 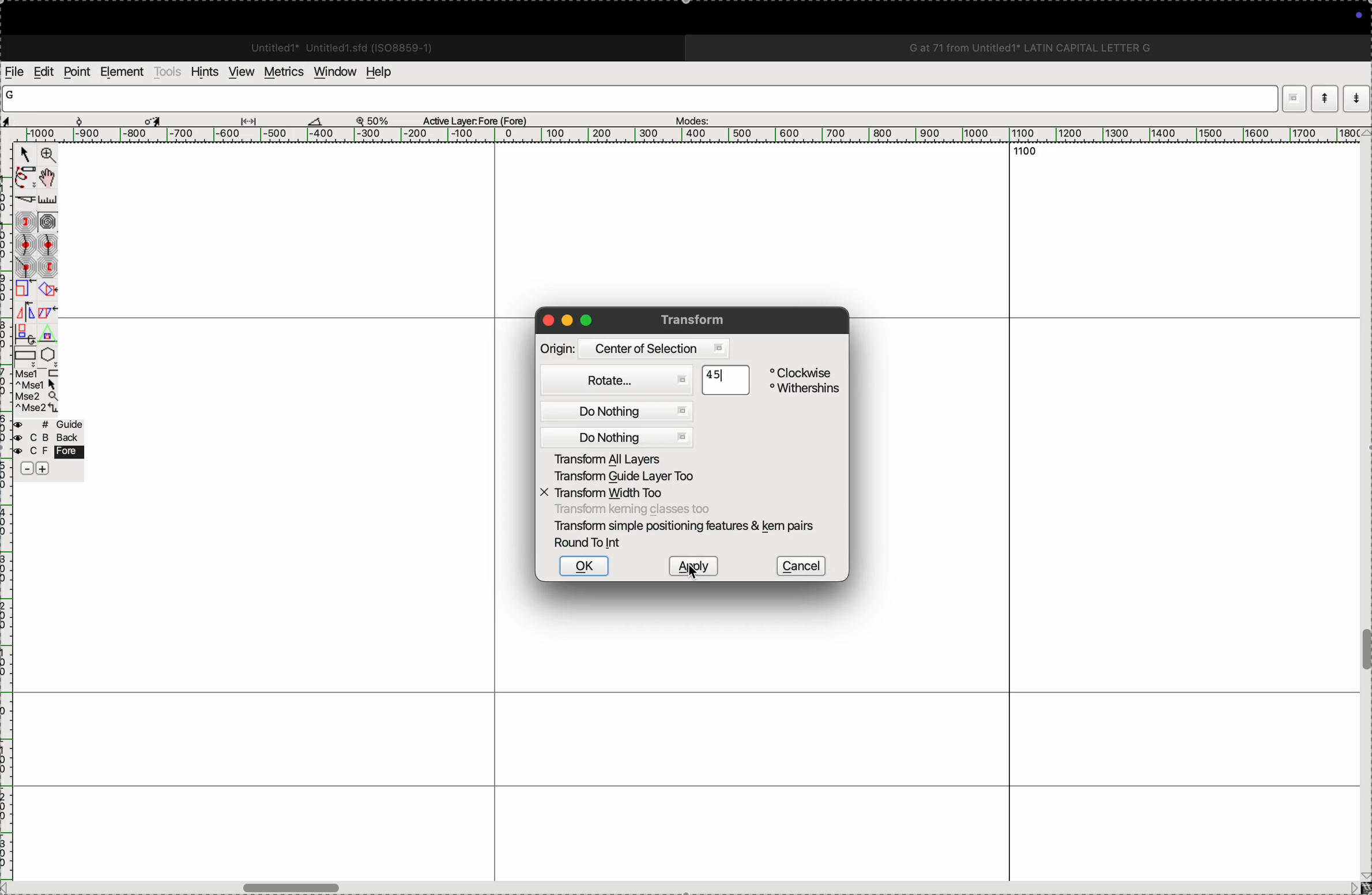 What do you see at coordinates (333, 46) in the screenshot?
I see `Untitled1 Untitled 1.sfd (IS08859-1)` at bounding box center [333, 46].